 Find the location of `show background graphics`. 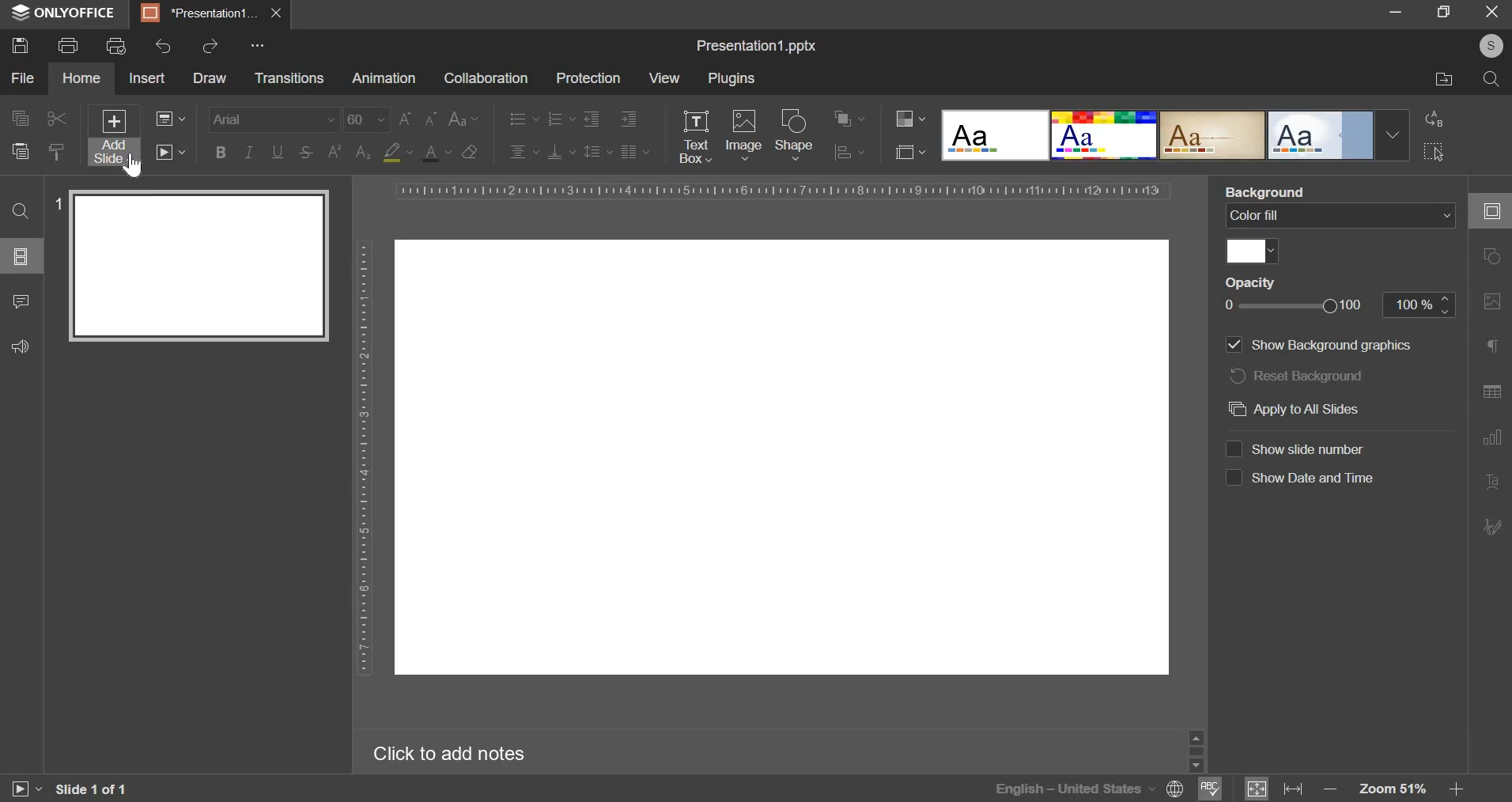

show background graphics is located at coordinates (1318, 344).